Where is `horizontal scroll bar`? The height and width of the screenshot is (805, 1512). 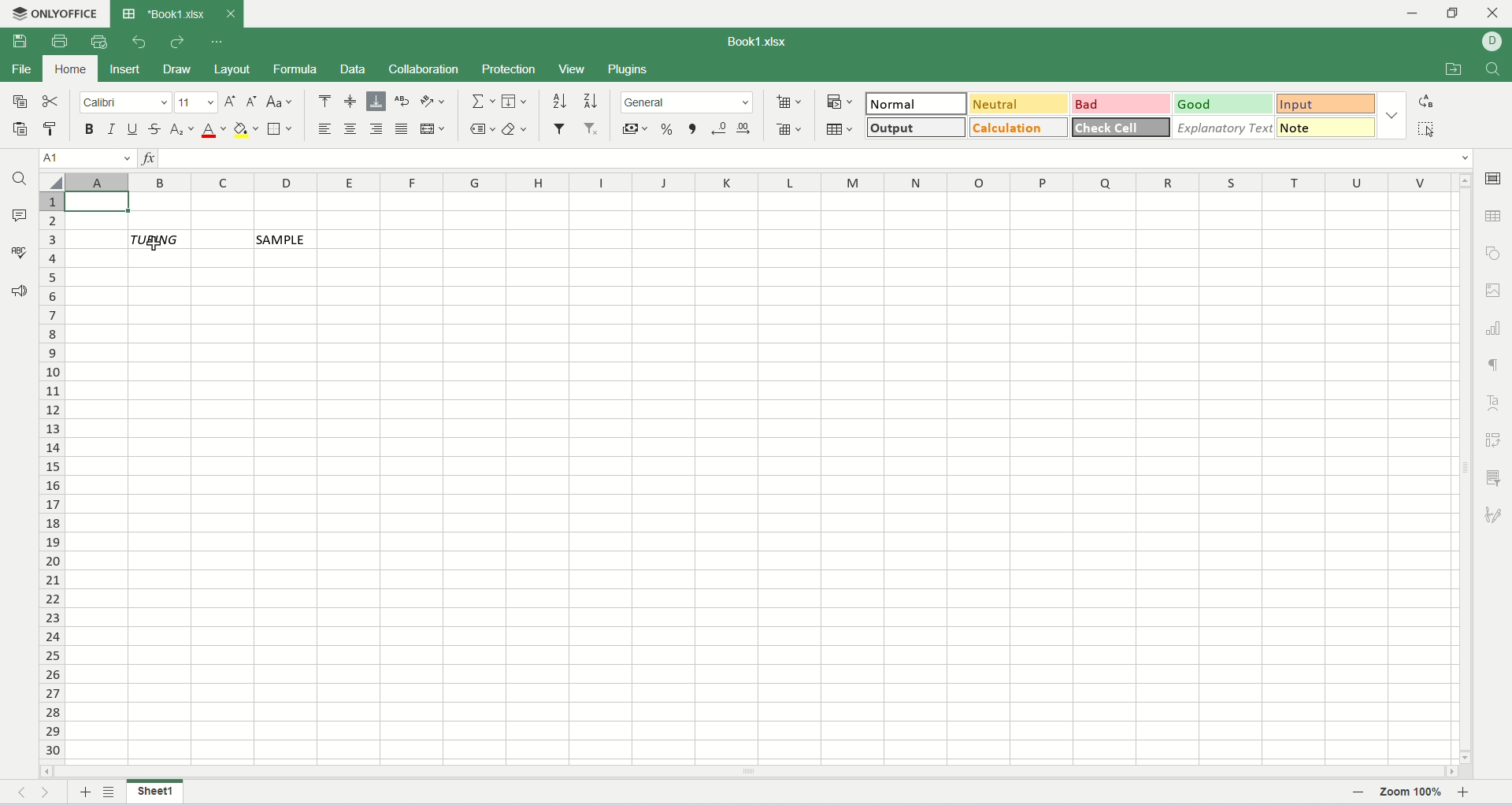
horizontal scroll bar is located at coordinates (748, 771).